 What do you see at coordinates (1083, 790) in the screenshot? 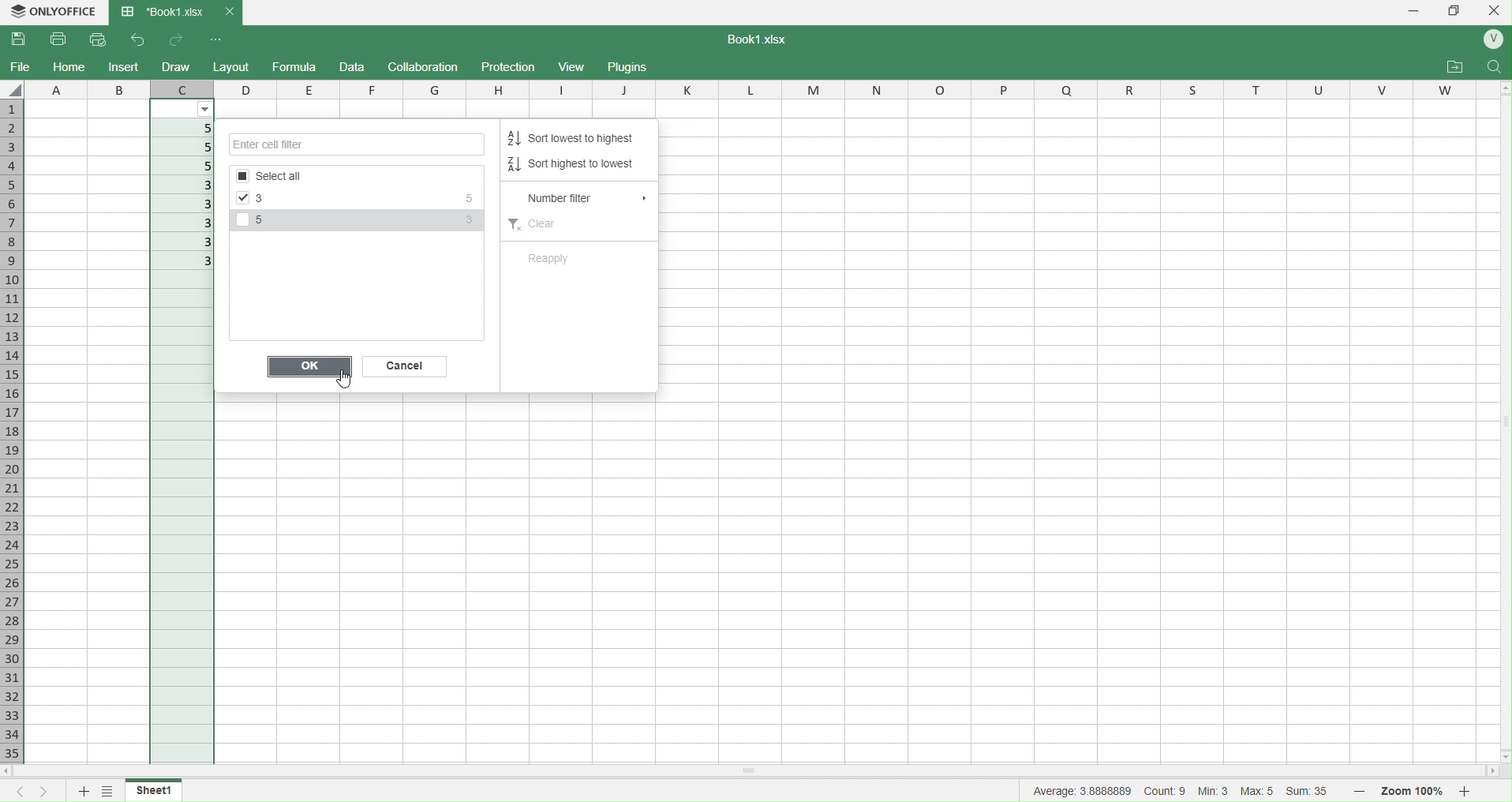
I see `average` at bounding box center [1083, 790].